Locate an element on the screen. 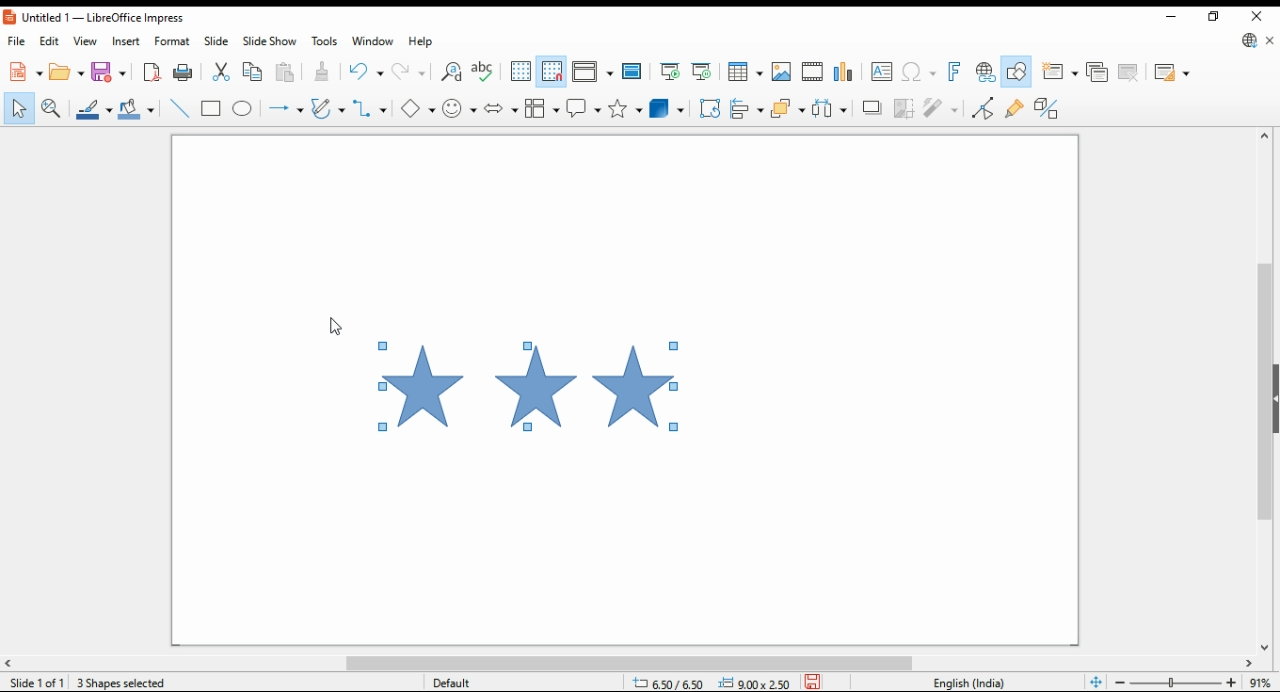  3D objects is located at coordinates (665, 108).